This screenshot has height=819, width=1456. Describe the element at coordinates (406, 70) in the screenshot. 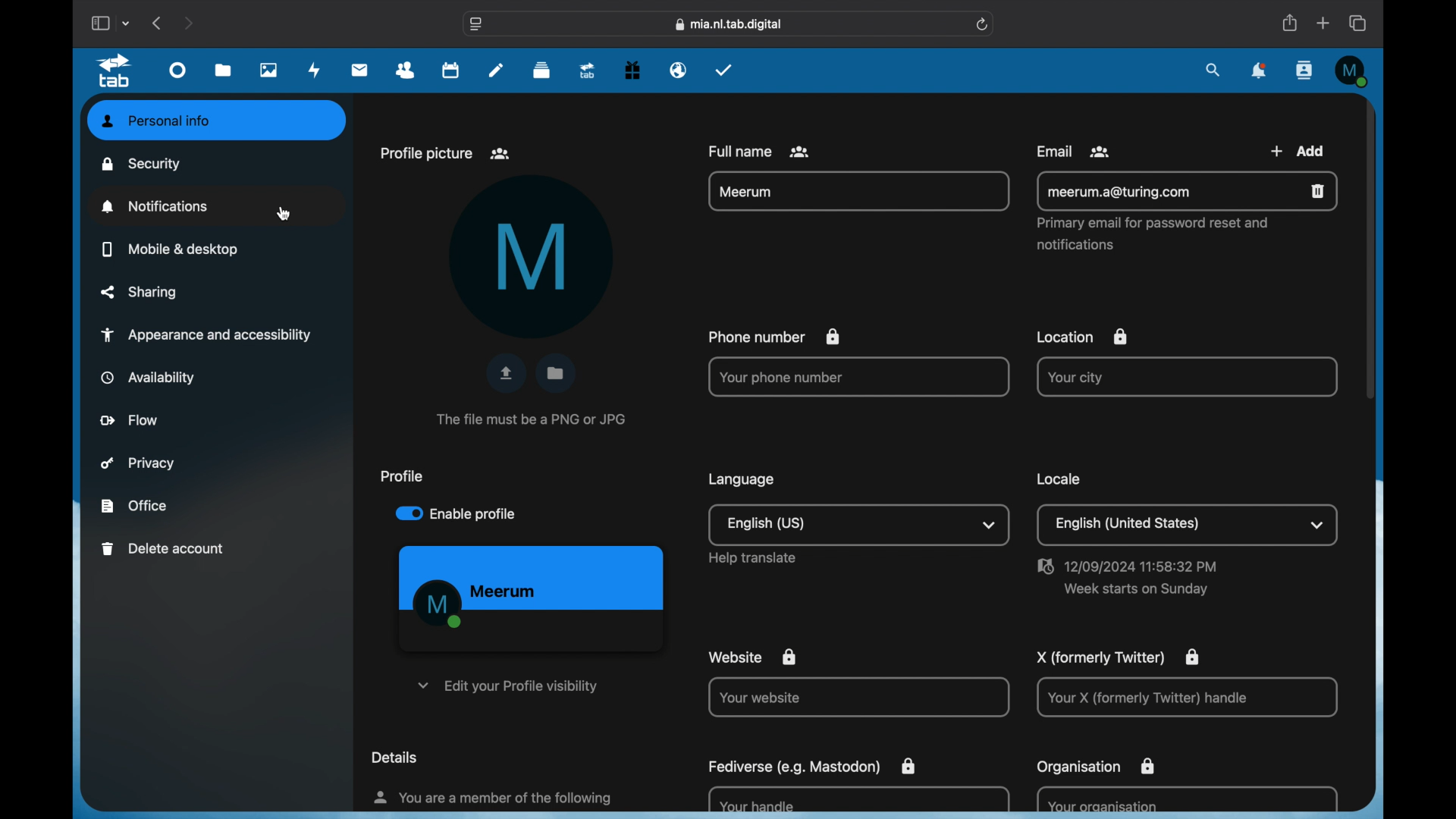

I see `contacts` at that location.